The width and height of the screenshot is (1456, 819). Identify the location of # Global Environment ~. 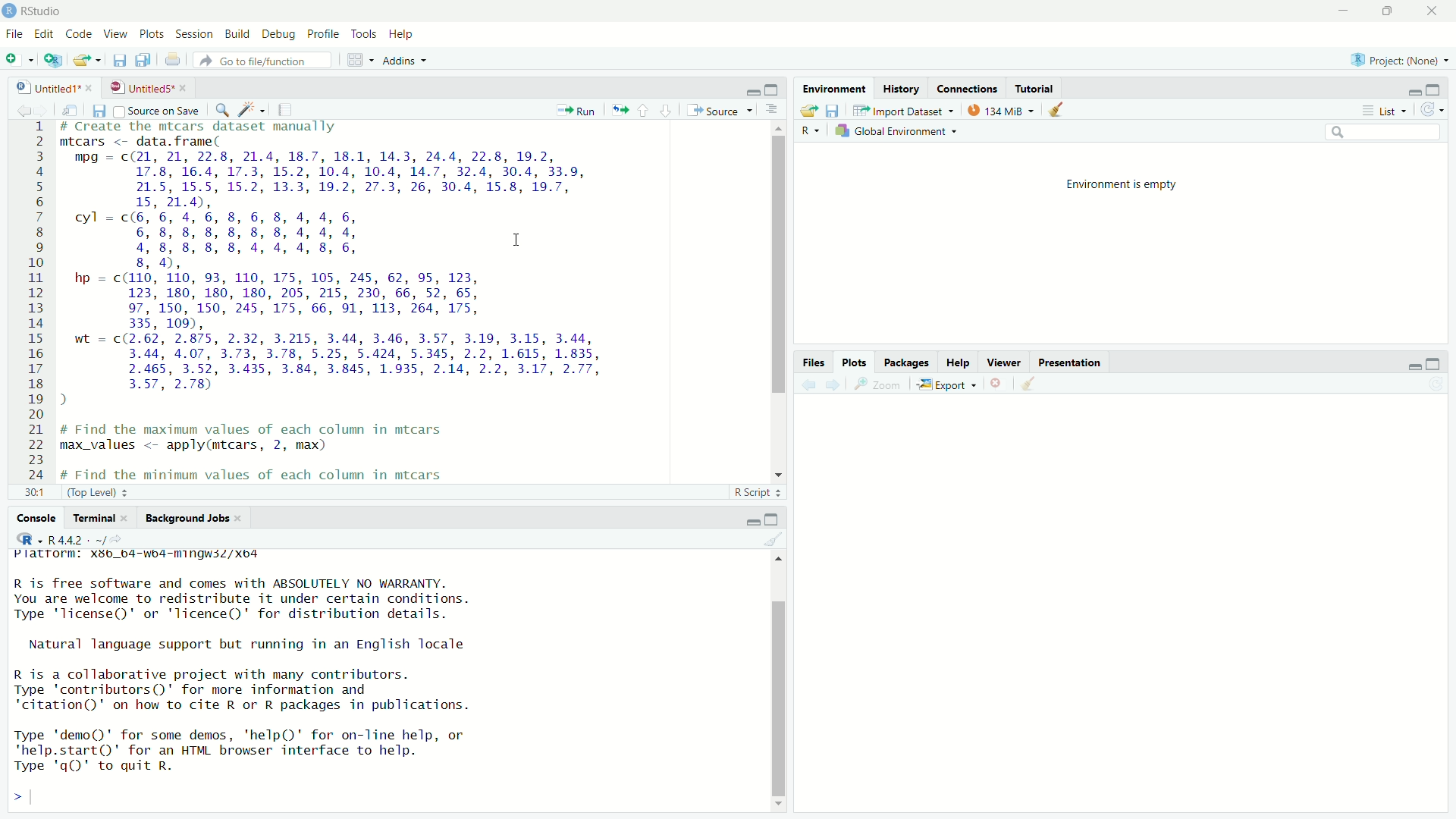
(899, 133).